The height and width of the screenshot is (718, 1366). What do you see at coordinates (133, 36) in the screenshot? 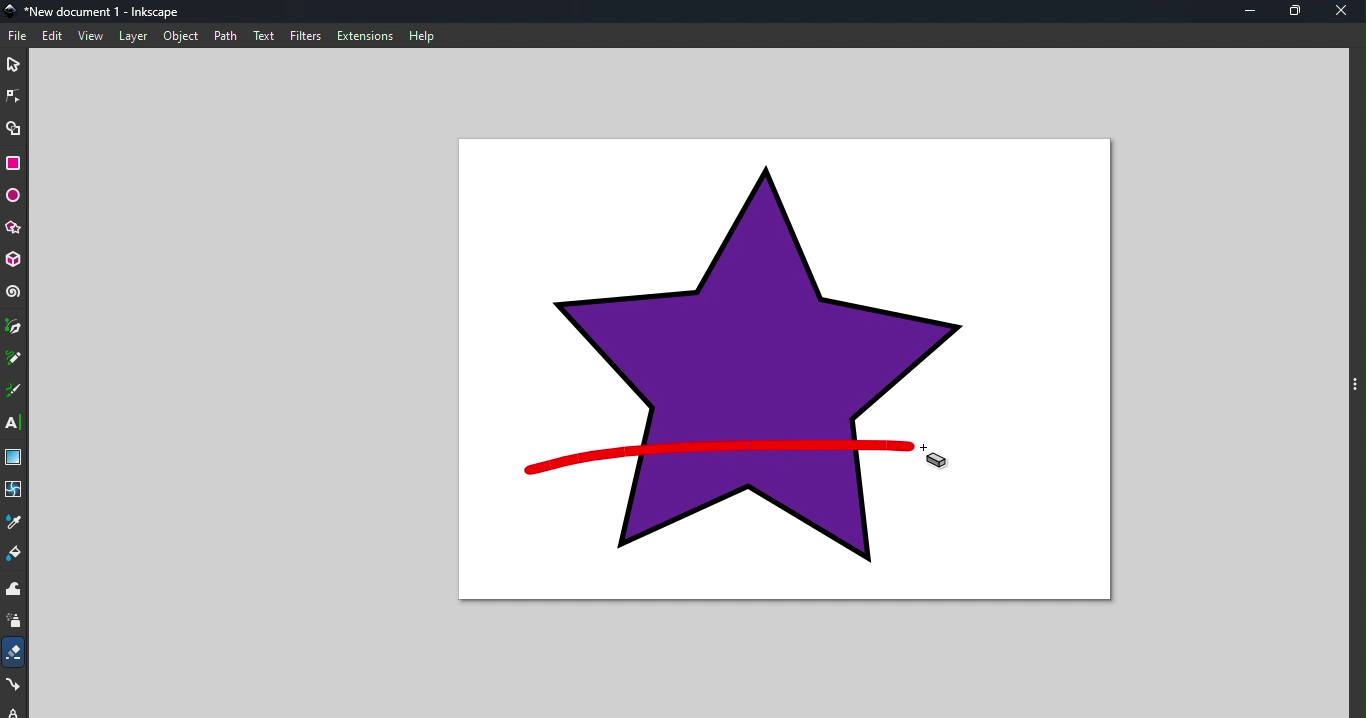
I see `layer` at bounding box center [133, 36].